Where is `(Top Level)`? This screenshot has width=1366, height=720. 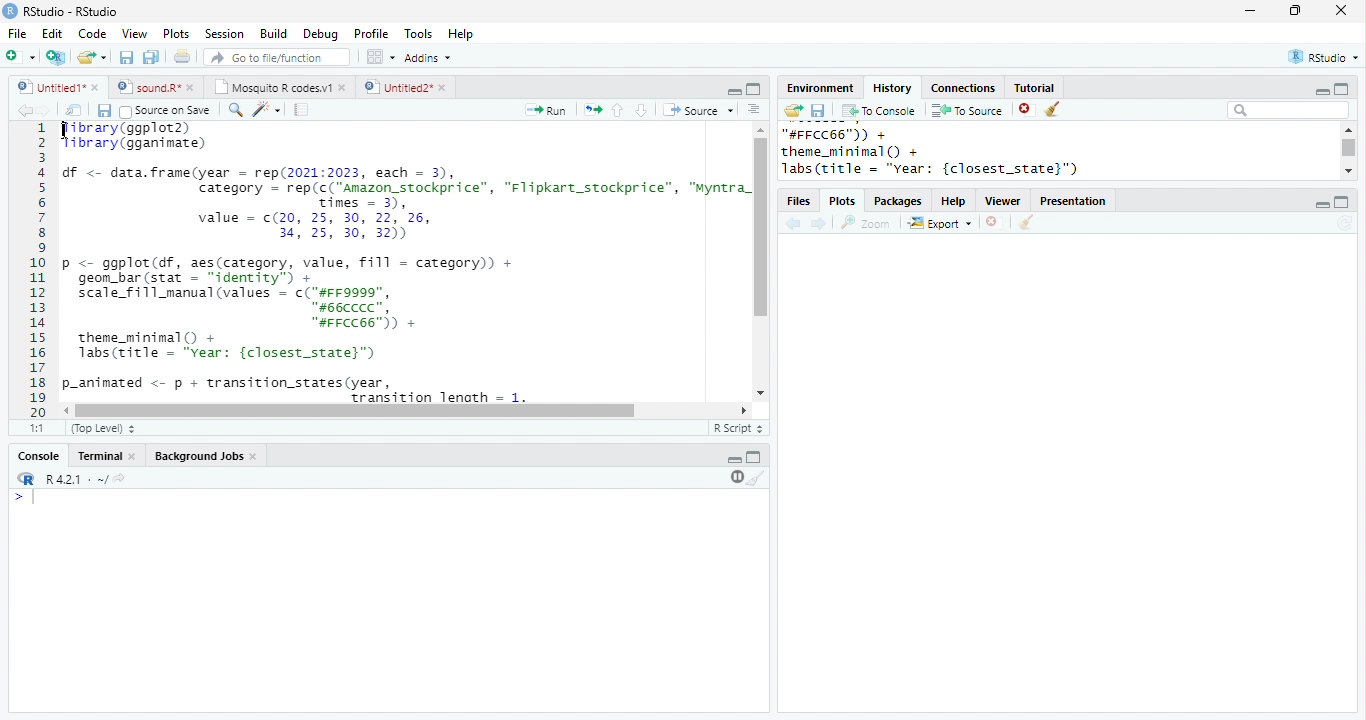 (Top Level) is located at coordinates (103, 428).